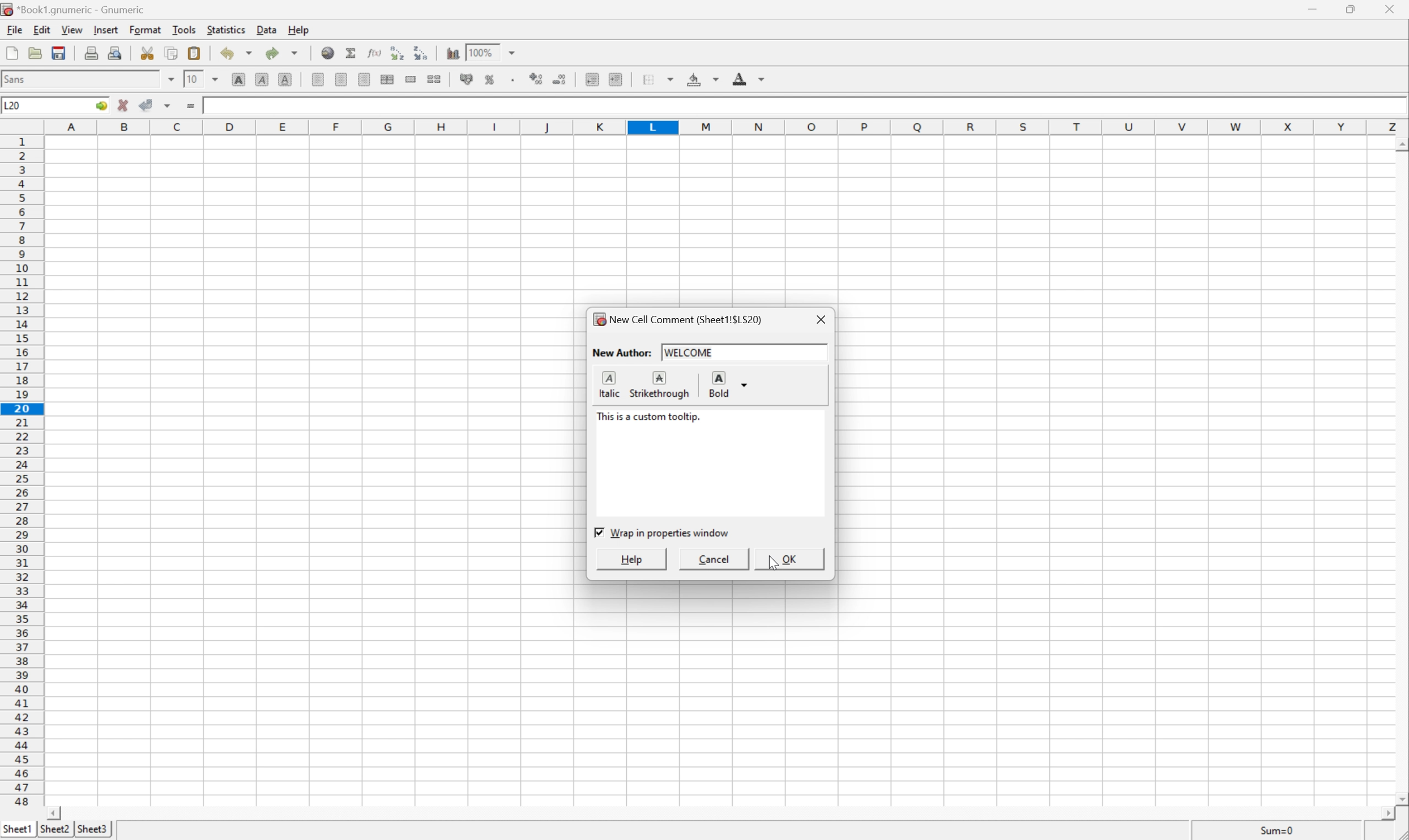 The width and height of the screenshot is (1409, 840). I want to click on Copy selection, so click(172, 53).